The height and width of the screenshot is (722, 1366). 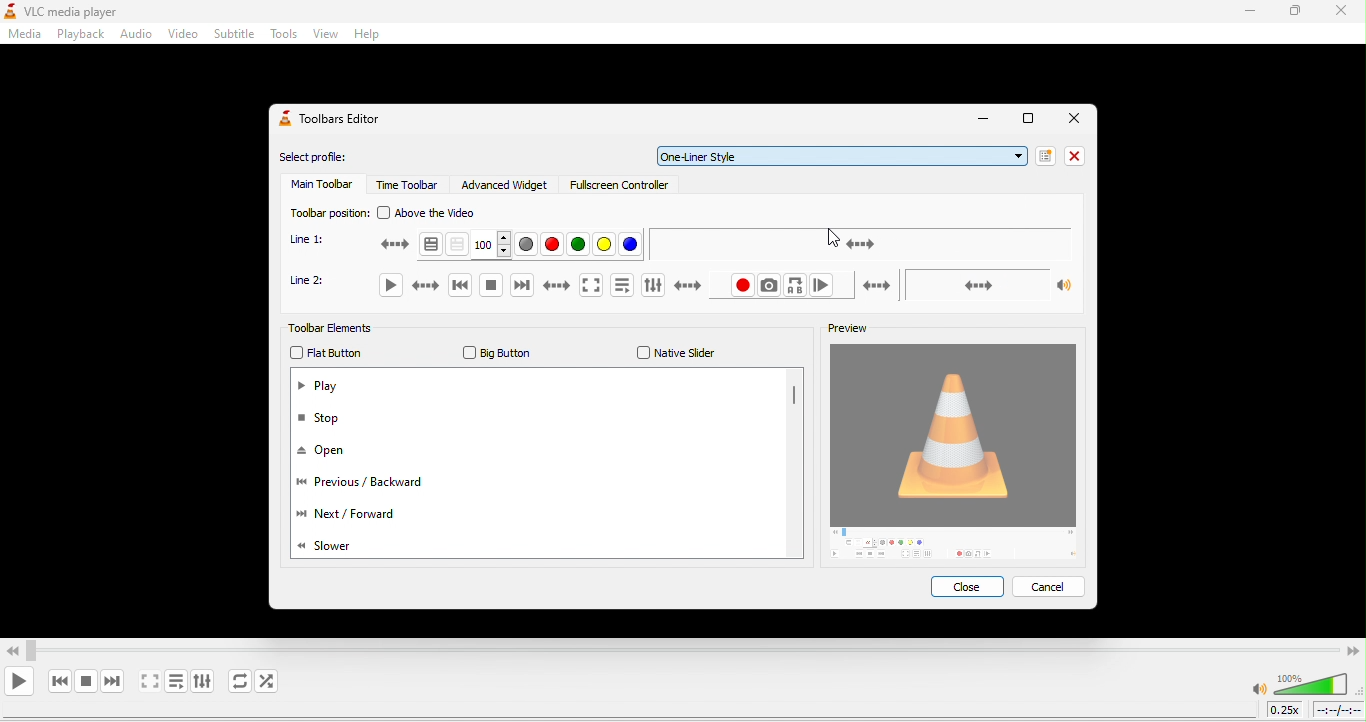 What do you see at coordinates (1025, 118) in the screenshot?
I see `maximize` at bounding box center [1025, 118].